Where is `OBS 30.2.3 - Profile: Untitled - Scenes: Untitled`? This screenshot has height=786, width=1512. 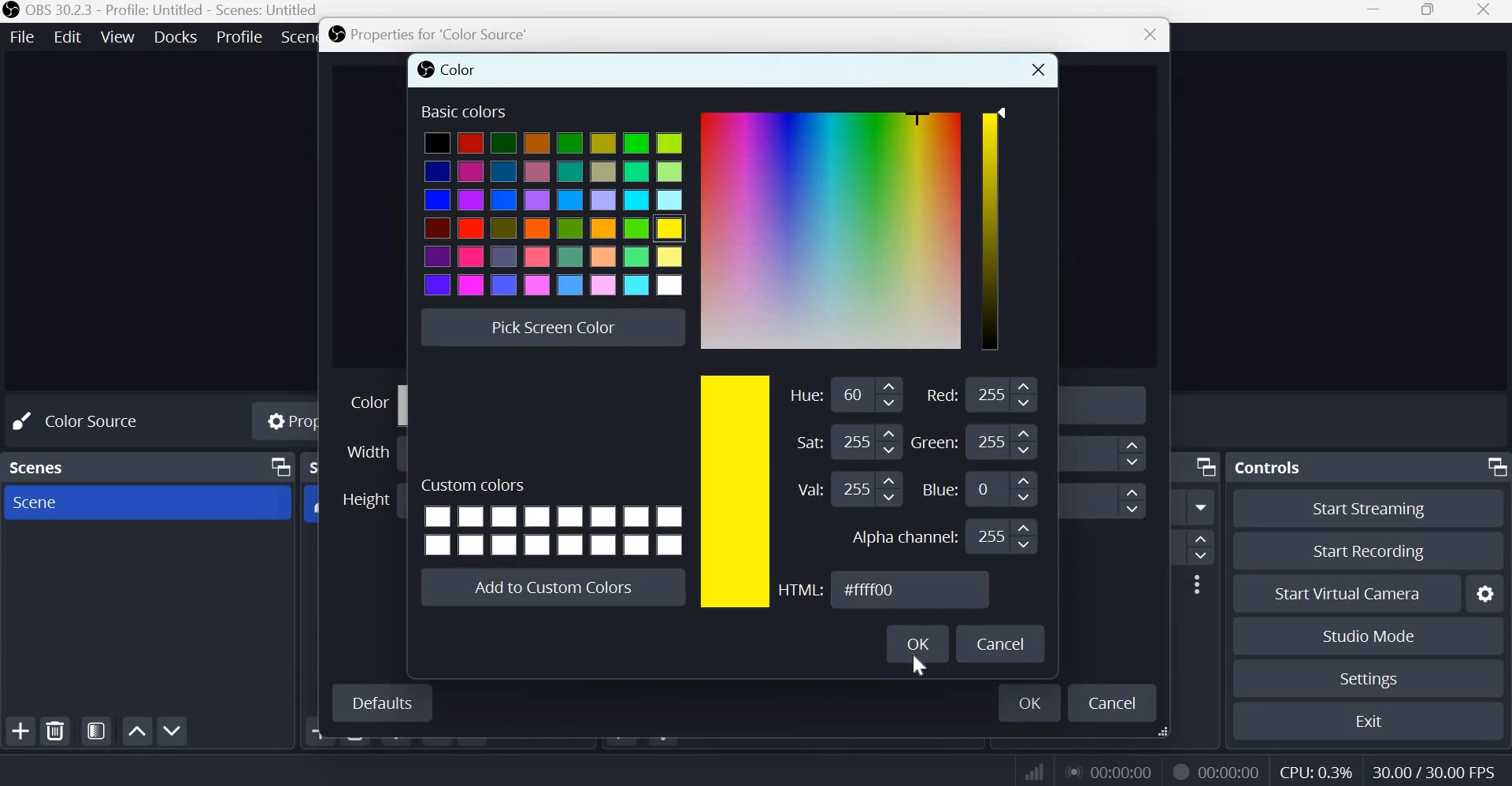
OBS 30.2.3 - Profile: Untitled - Scenes: Untitled is located at coordinates (173, 11).